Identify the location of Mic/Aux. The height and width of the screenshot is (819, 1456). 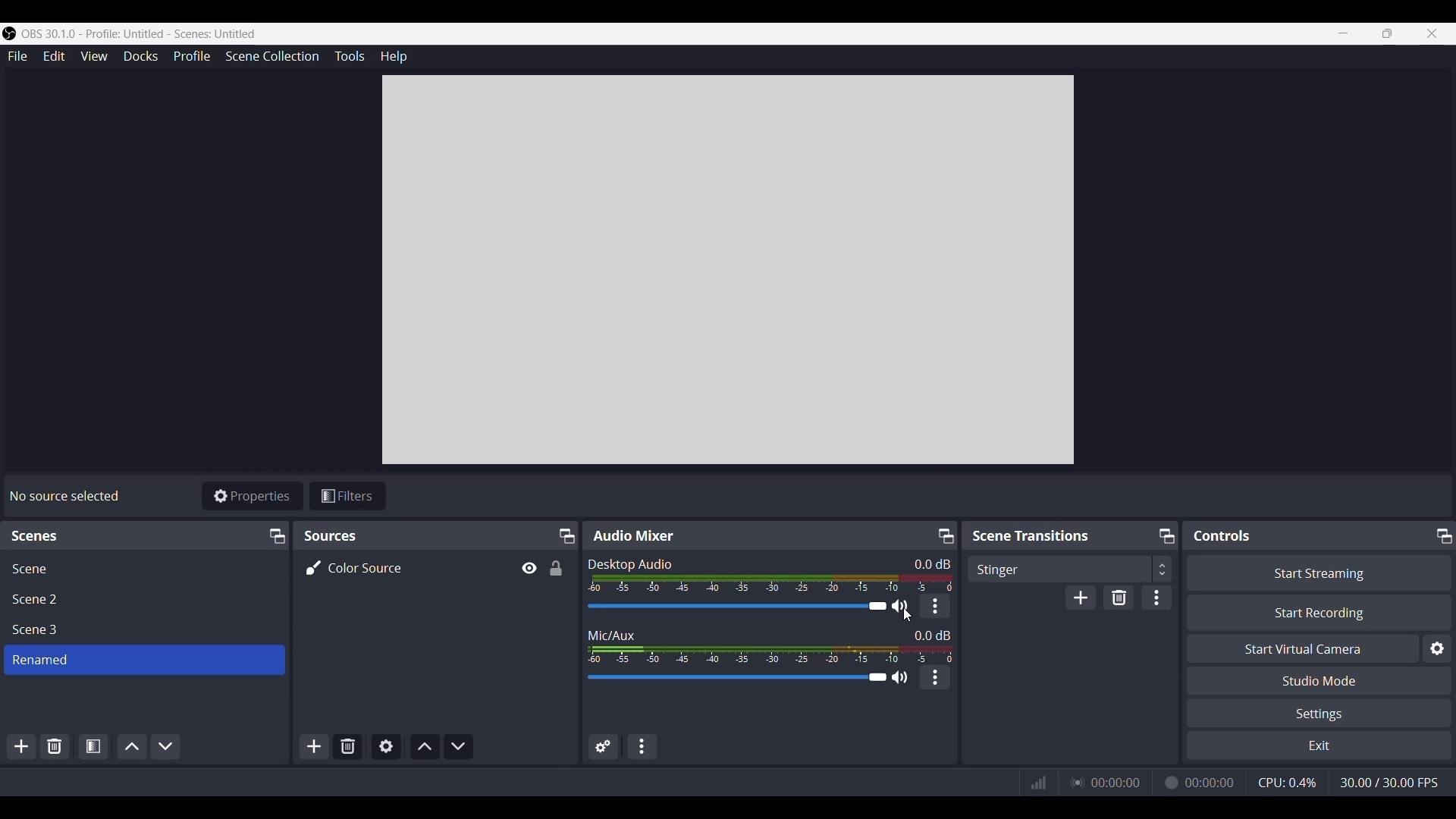
(613, 633).